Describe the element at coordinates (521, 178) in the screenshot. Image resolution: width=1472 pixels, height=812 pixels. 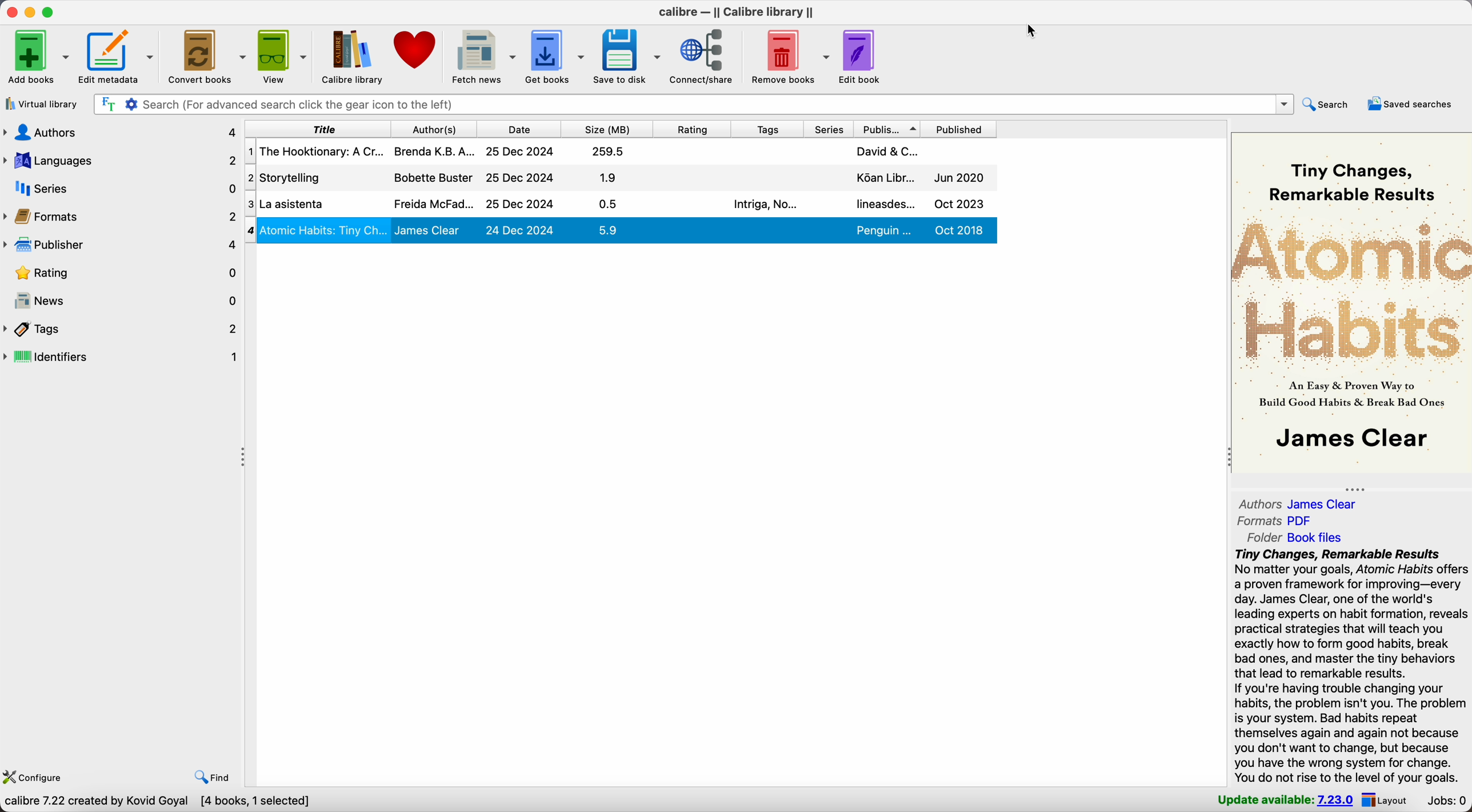
I see `25 Dec 2024` at that location.